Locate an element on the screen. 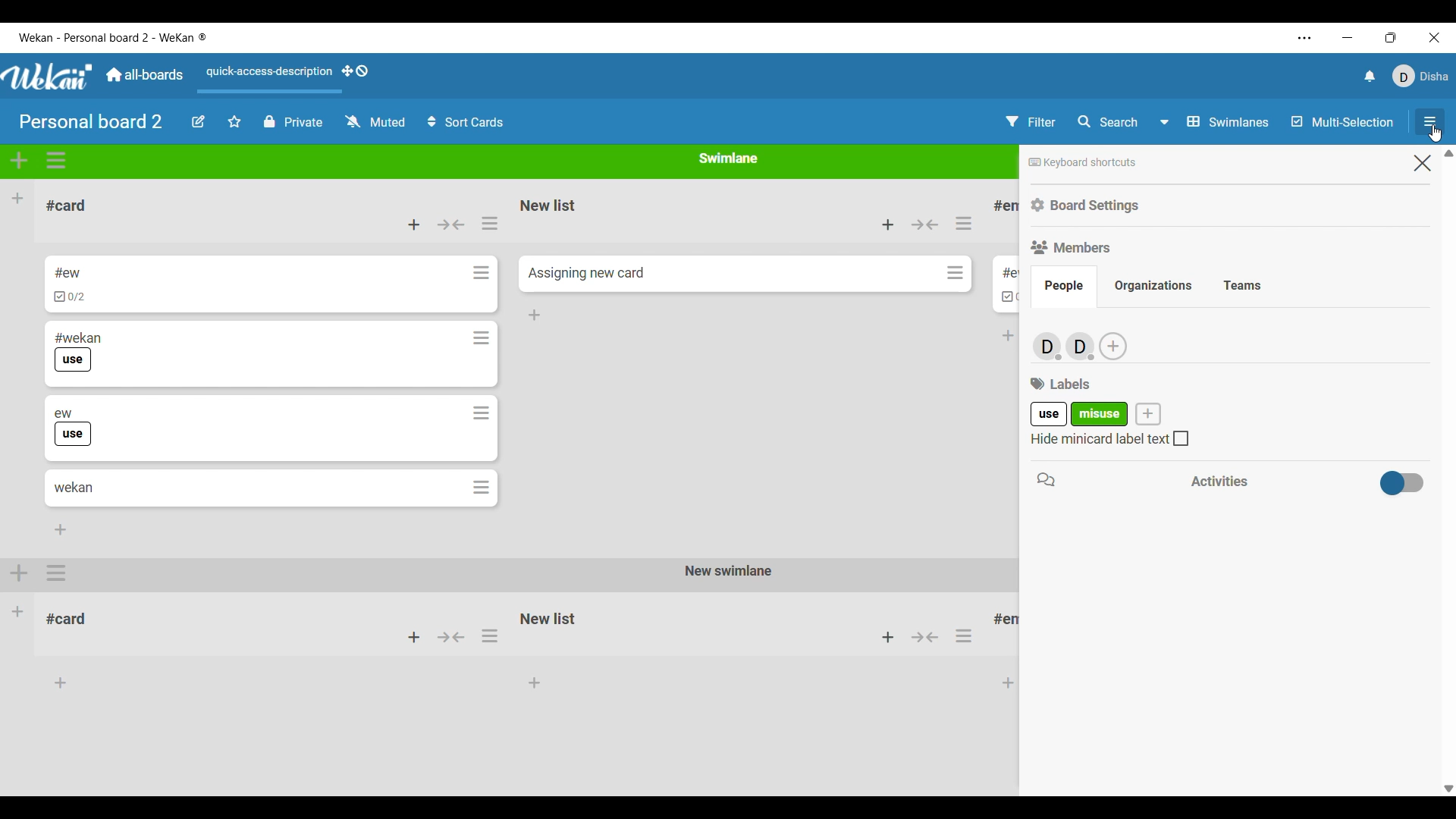 This screenshot has width=1456, height=819. Toggle activities is located at coordinates (1402, 482).